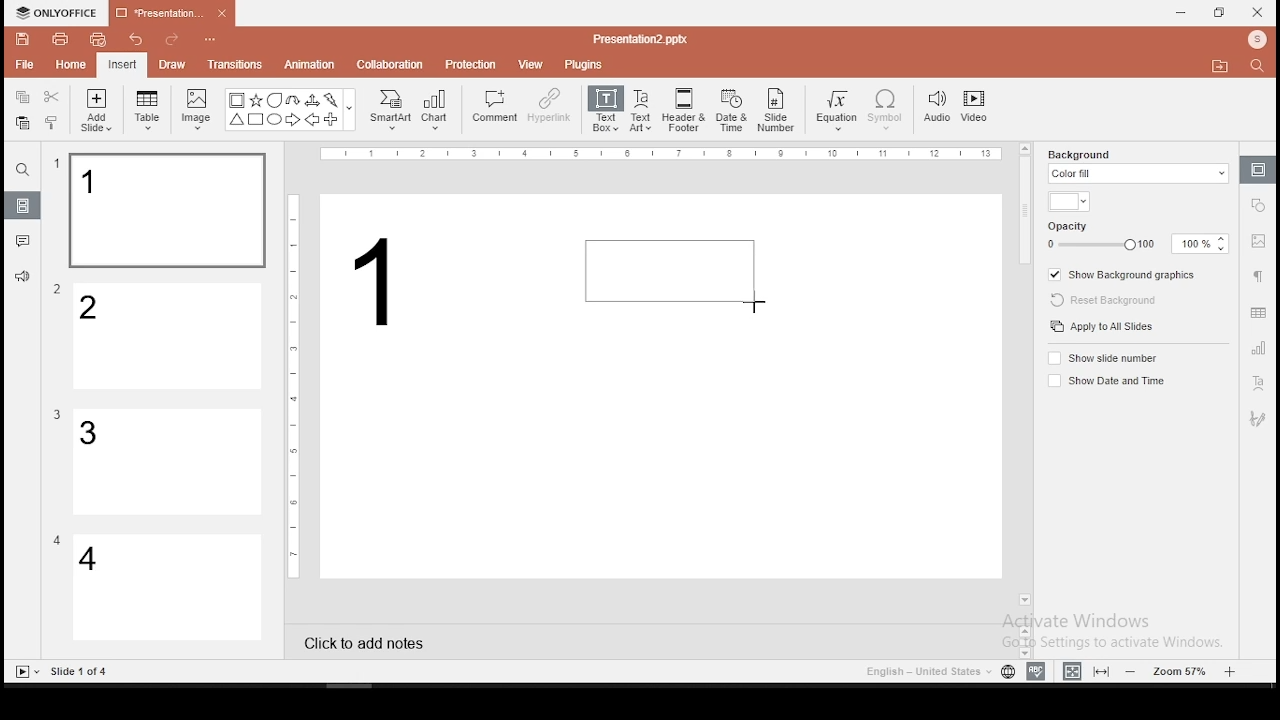 The width and height of the screenshot is (1280, 720). I want to click on apply to all slides, so click(1101, 328).